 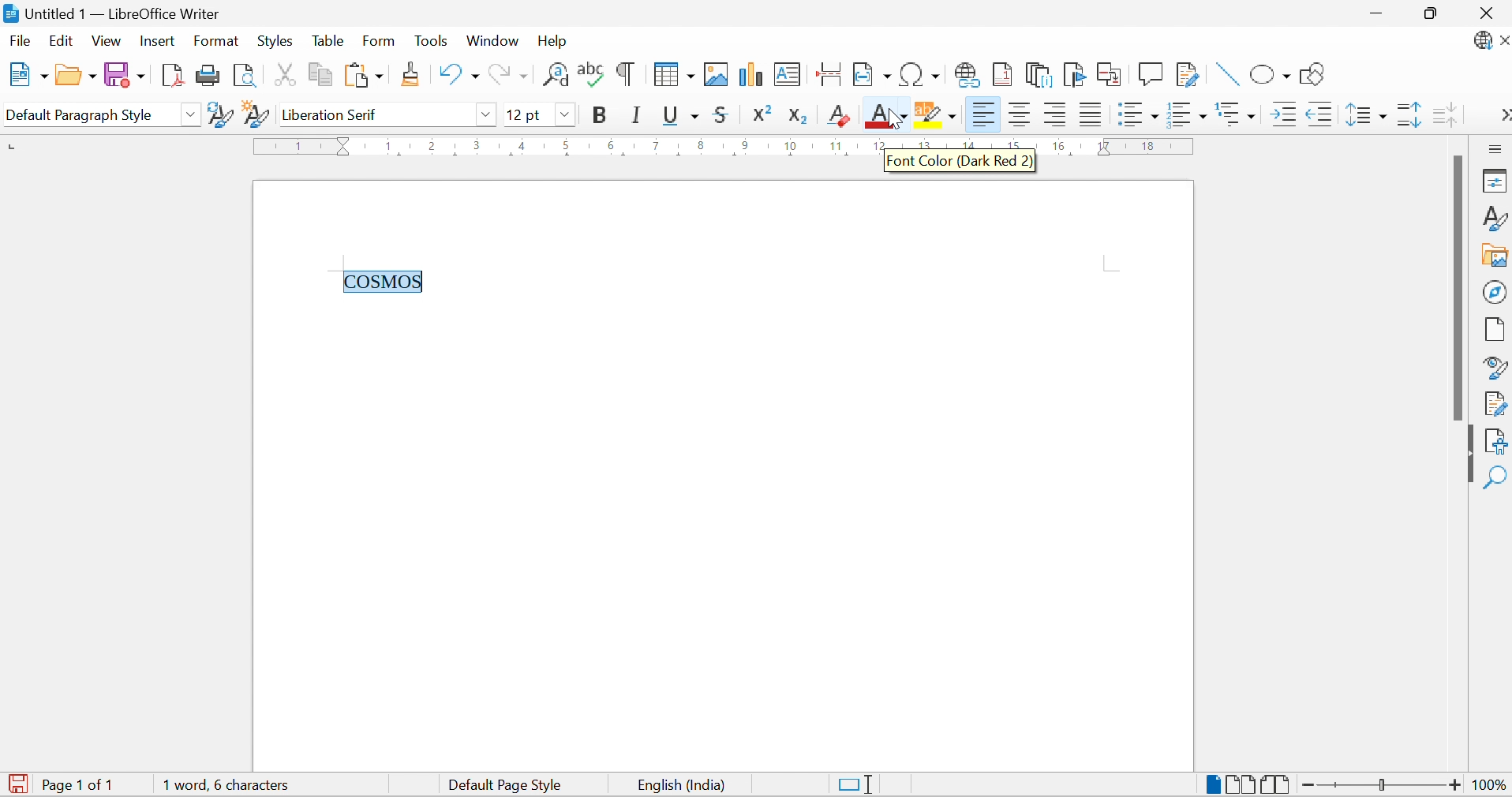 What do you see at coordinates (960, 163) in the screenshot?
I see `Font Color (Dark Red 2)` at bounding box center [960, 163].